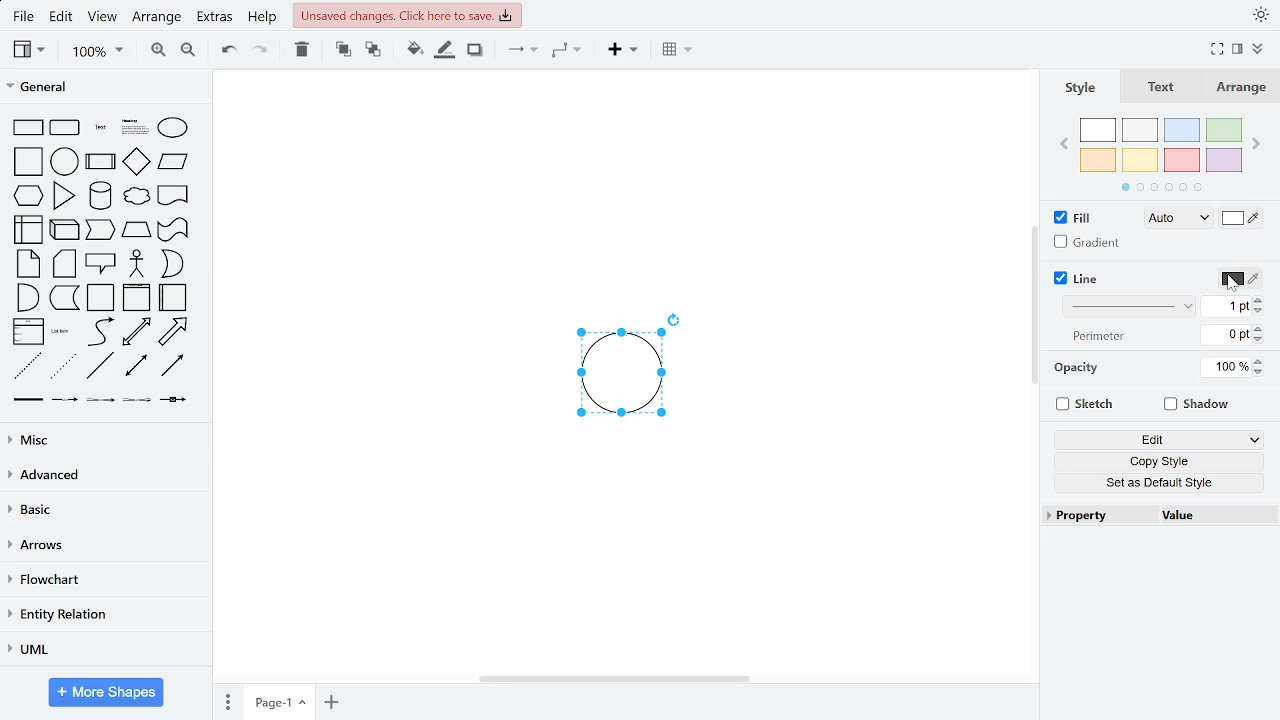 The width and height of the screenshot is (1280, 720). What do you see at coordinates (137, 263) in the screenshot?
I see `actor` at bounding box center [137, 263].